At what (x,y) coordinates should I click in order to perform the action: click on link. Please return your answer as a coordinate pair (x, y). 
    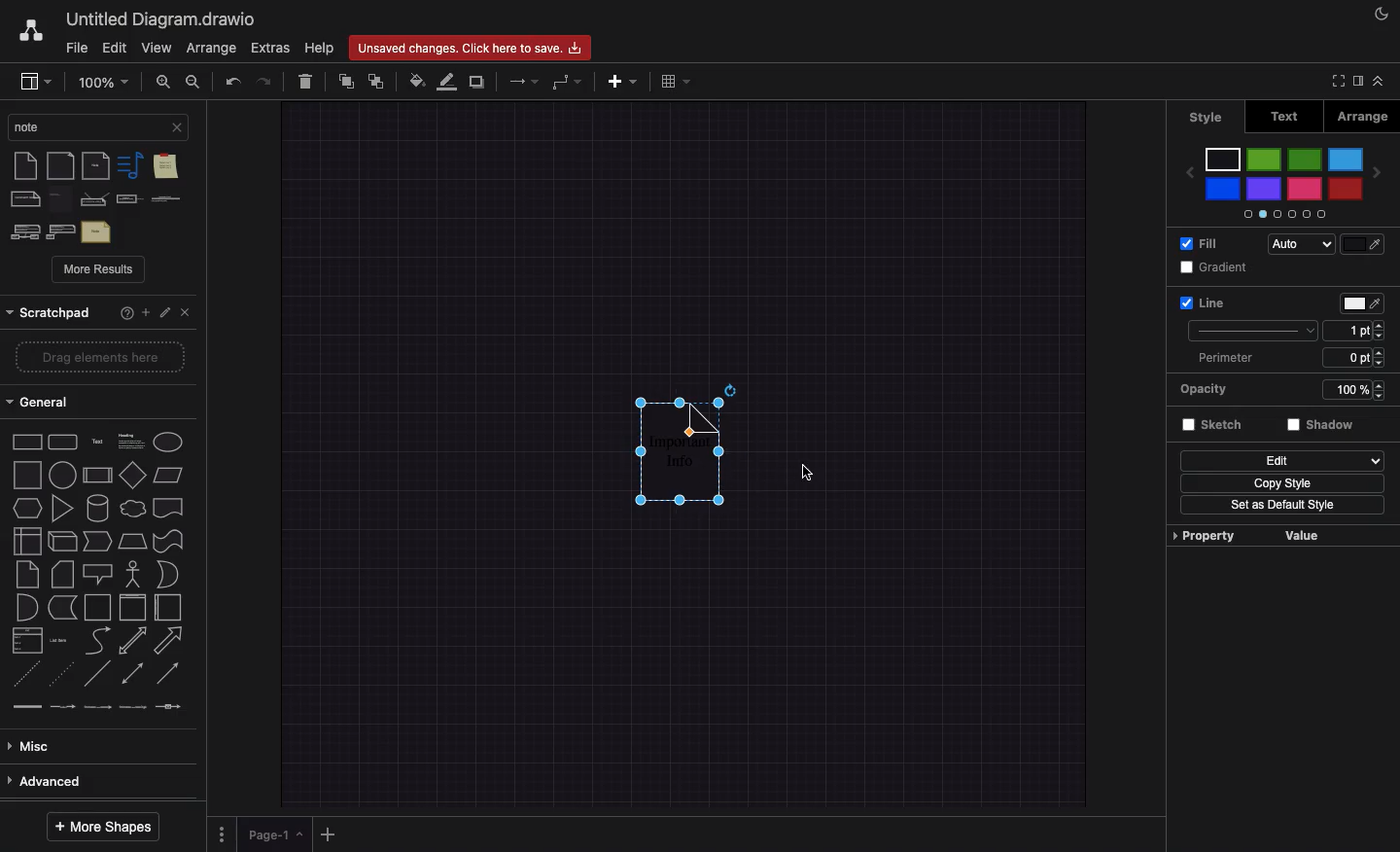
    Looking at the image, I should click on (27, 711).